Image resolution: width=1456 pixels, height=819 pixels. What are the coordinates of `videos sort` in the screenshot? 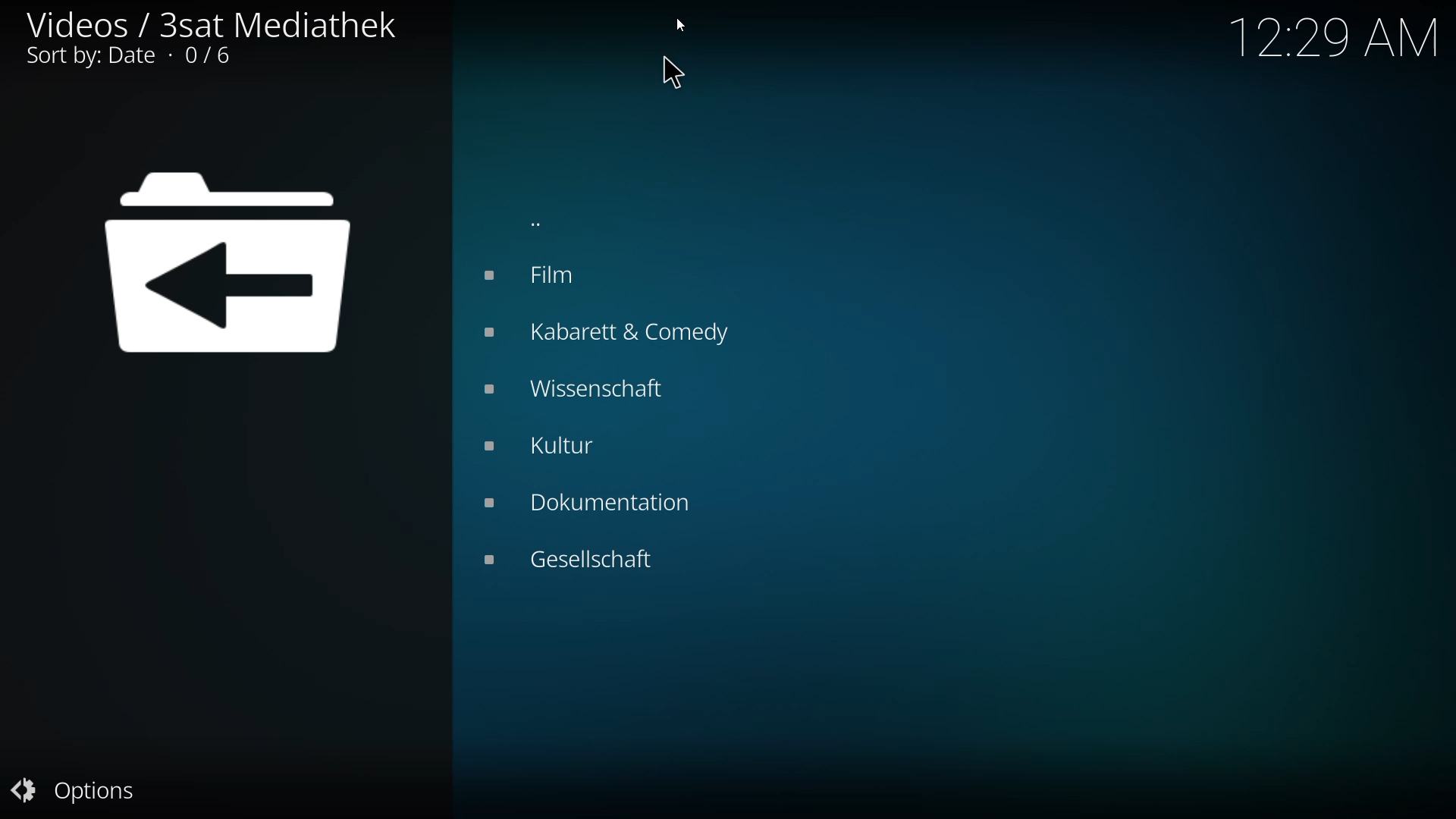 It's located at (206, 37).